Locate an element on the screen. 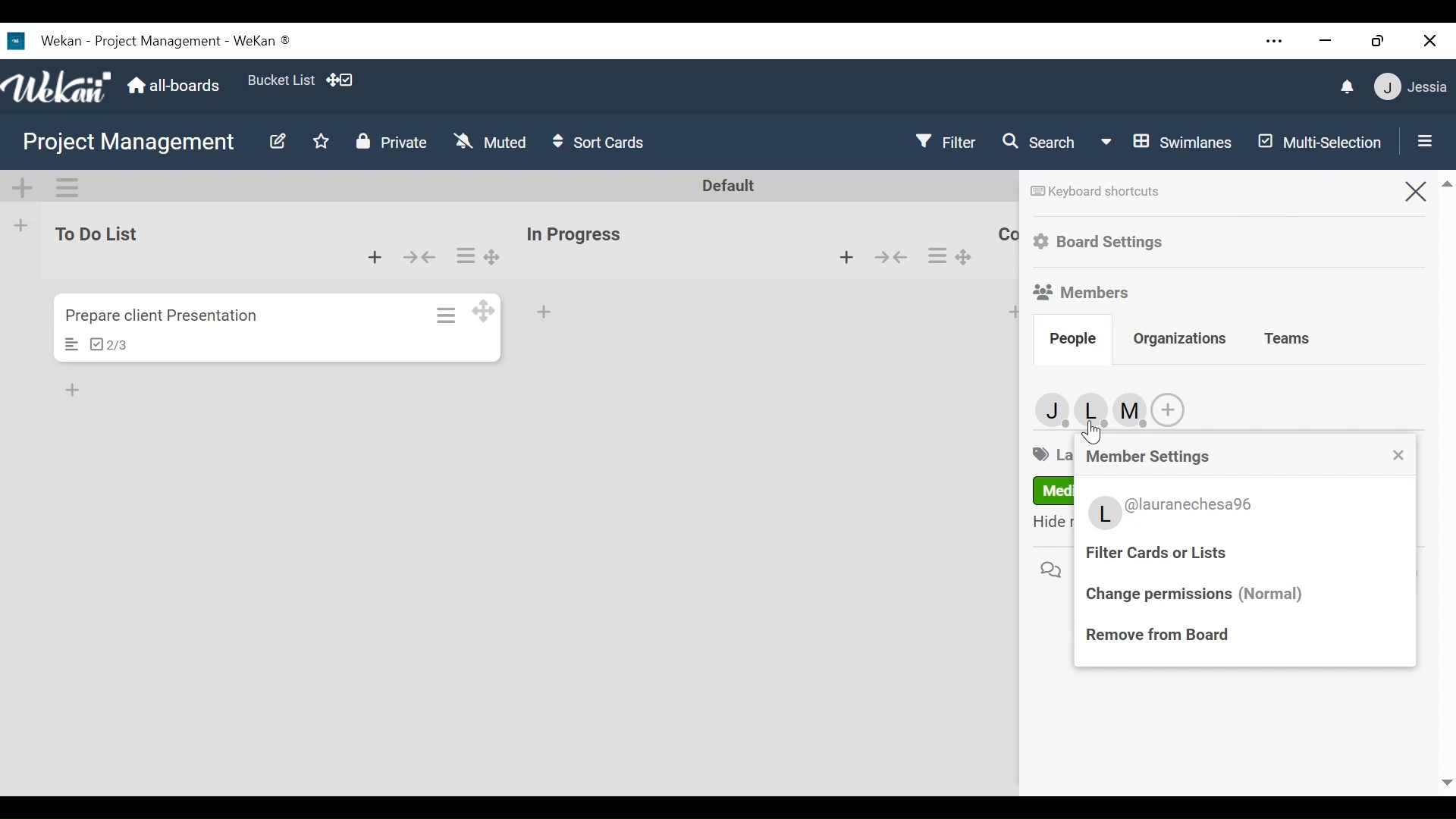 This screenshot has width=1456, height=819. List Title is located at coordinates (1007, 237).